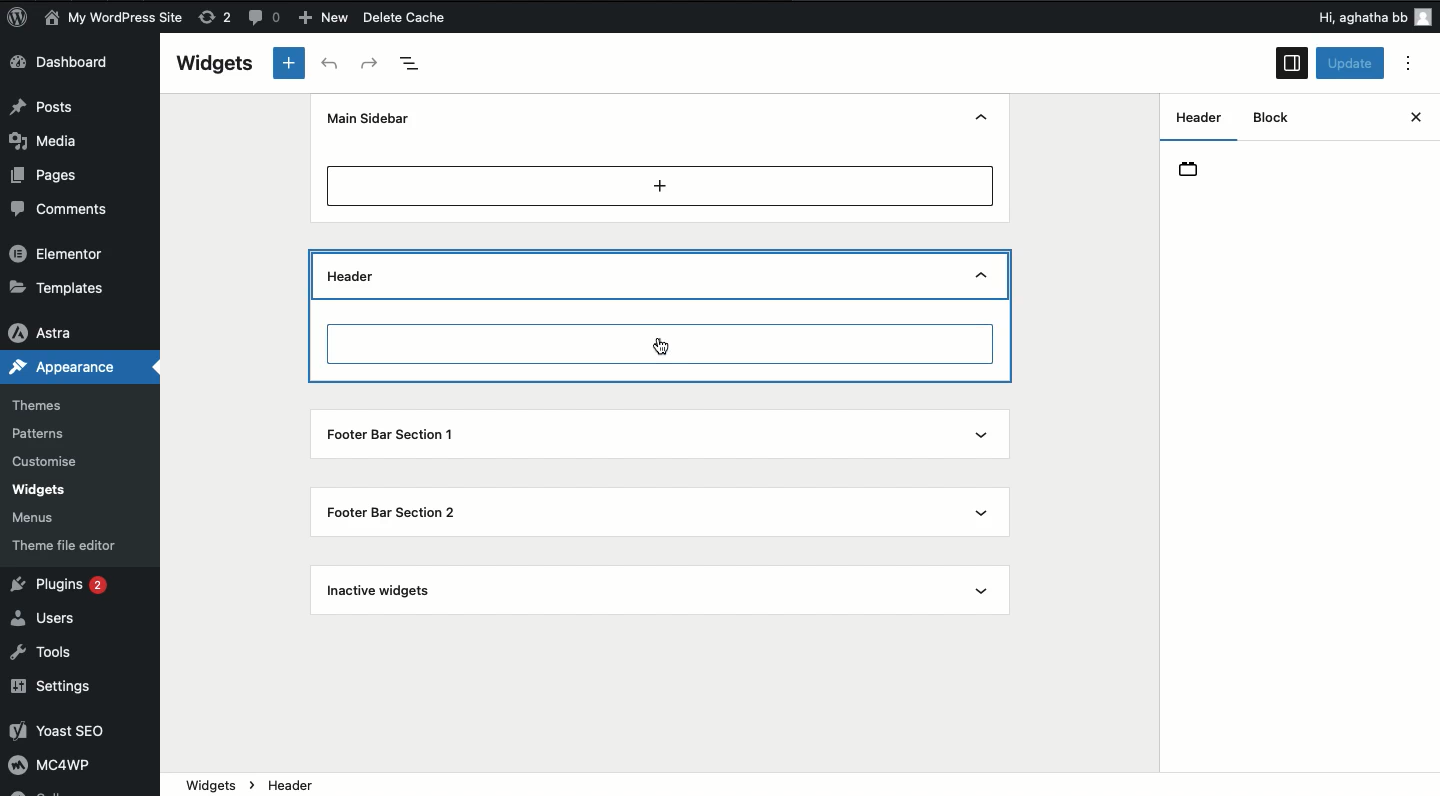  I want to click on Widgets, so click(215, 63).